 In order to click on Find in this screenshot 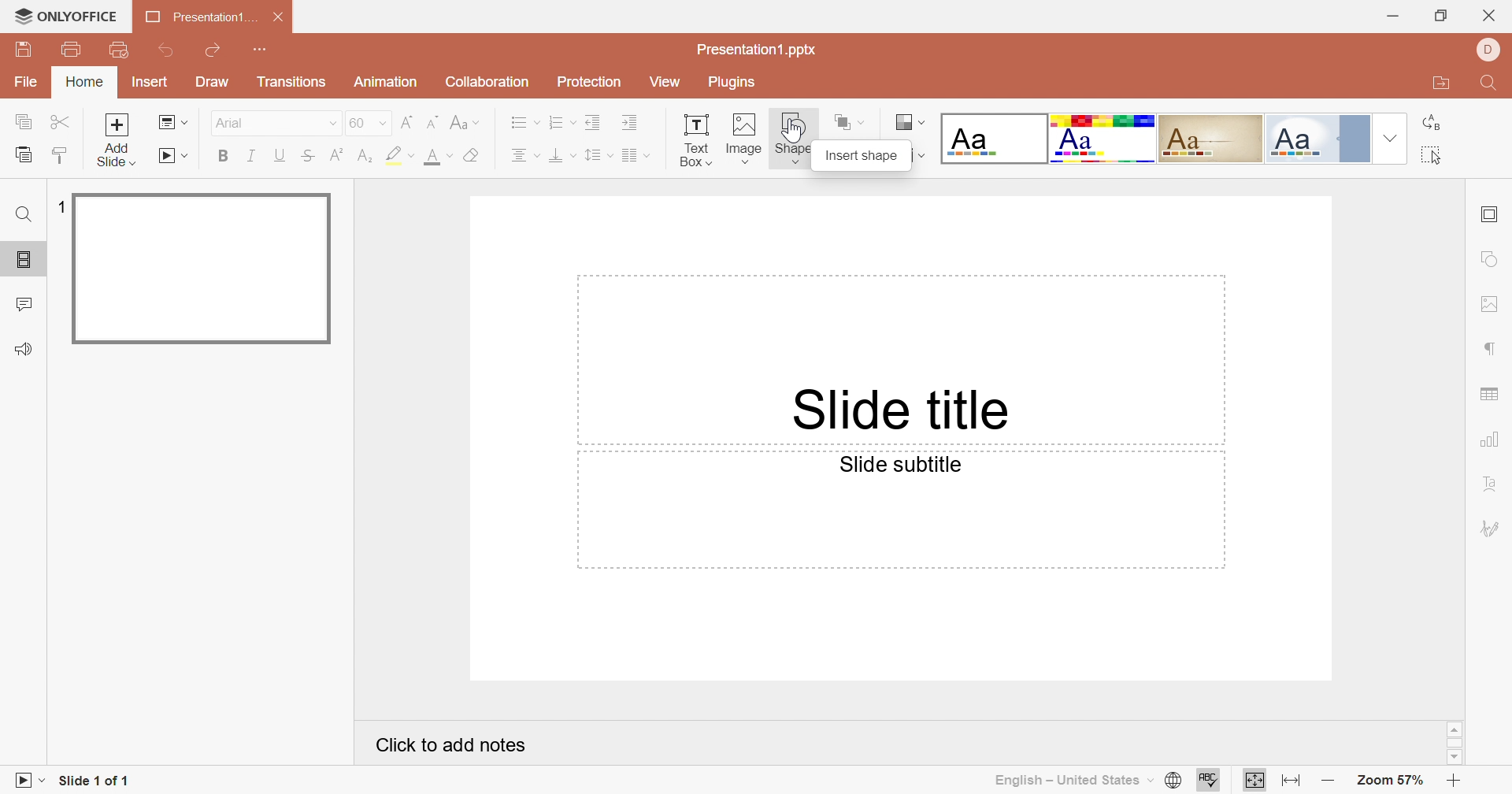, I will do `click(26, 214)`.